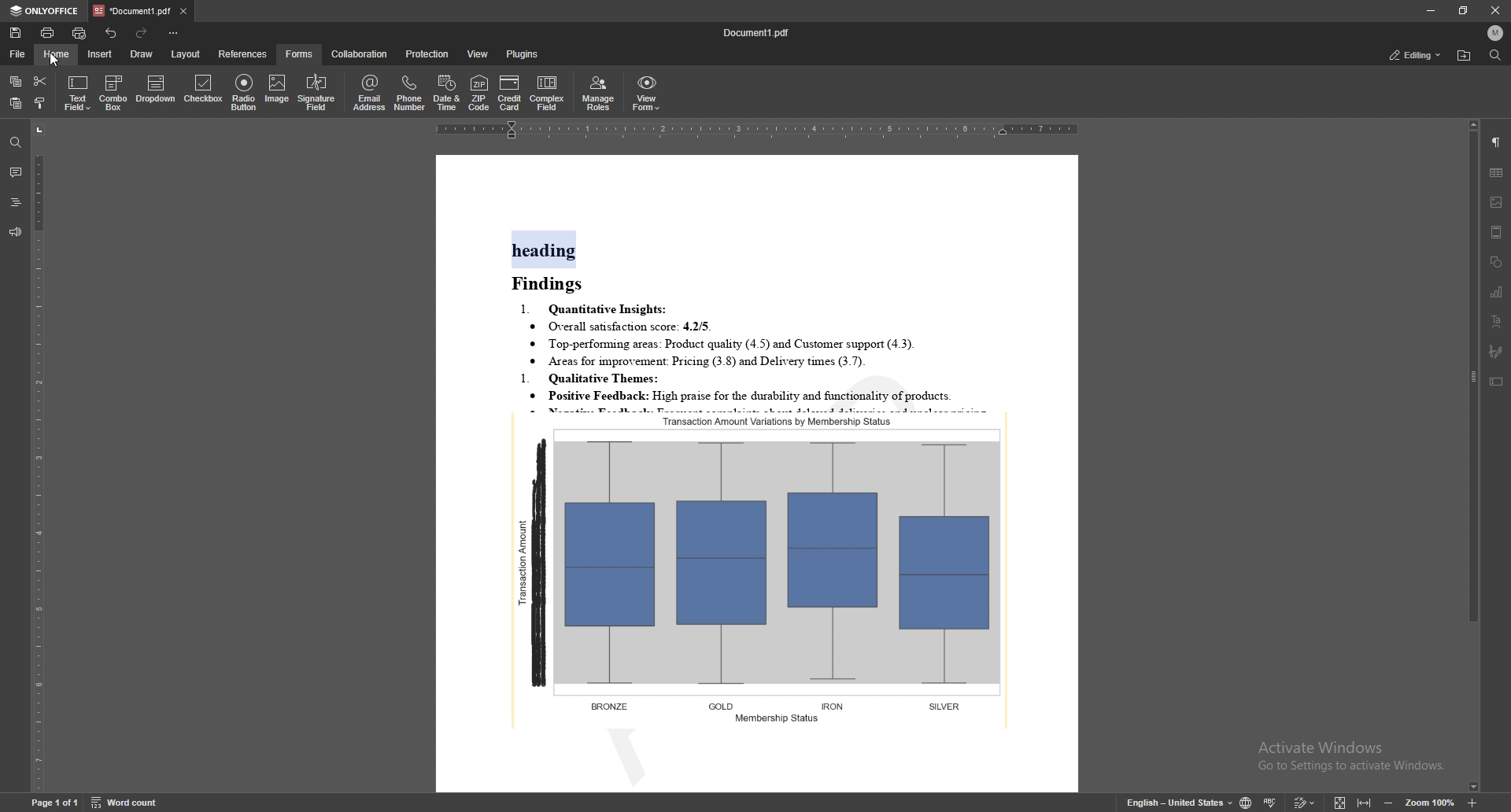 Image resolution: width=1511 pixels, height=812 pixels. Describe the element at coordinates (1245, 802) in the screenshot. I see `change doc language` at that location.